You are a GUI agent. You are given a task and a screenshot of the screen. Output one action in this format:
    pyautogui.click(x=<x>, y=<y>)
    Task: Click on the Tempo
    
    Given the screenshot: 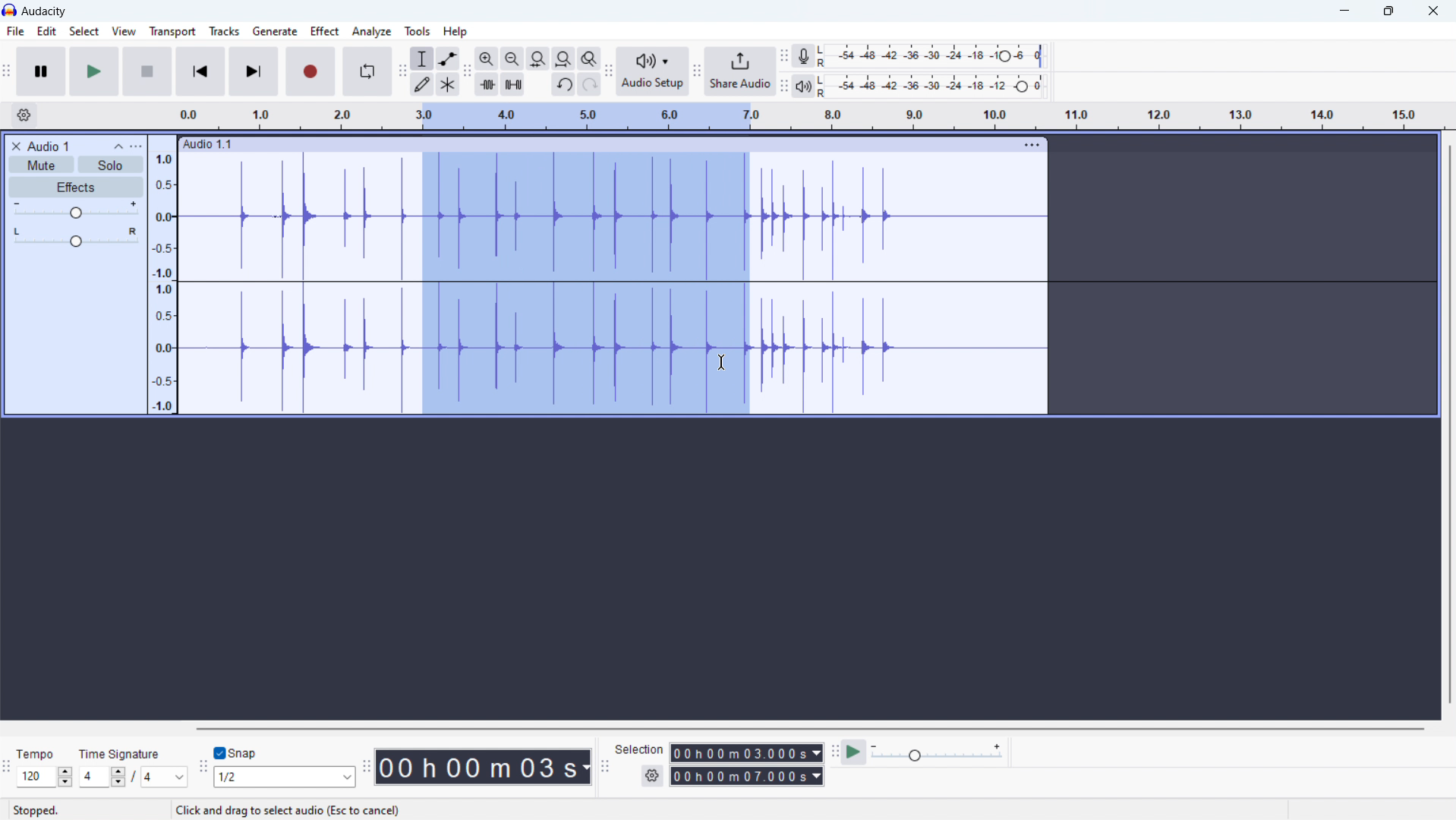 What is the action you would take?
    pyautogui.click(x=39, y=752)
    